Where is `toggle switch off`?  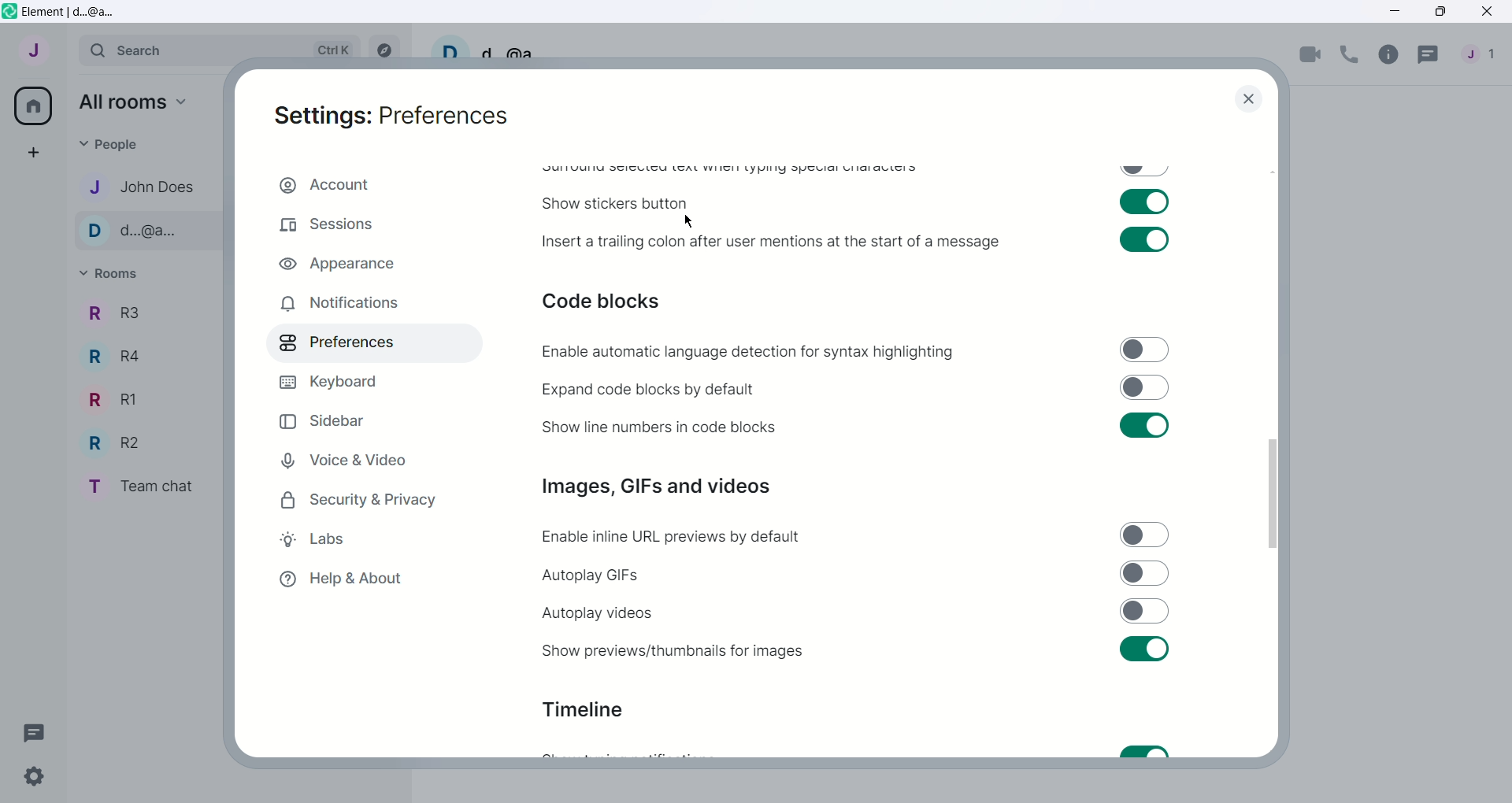
toggle switch off is located at coordinates (1144, 534).